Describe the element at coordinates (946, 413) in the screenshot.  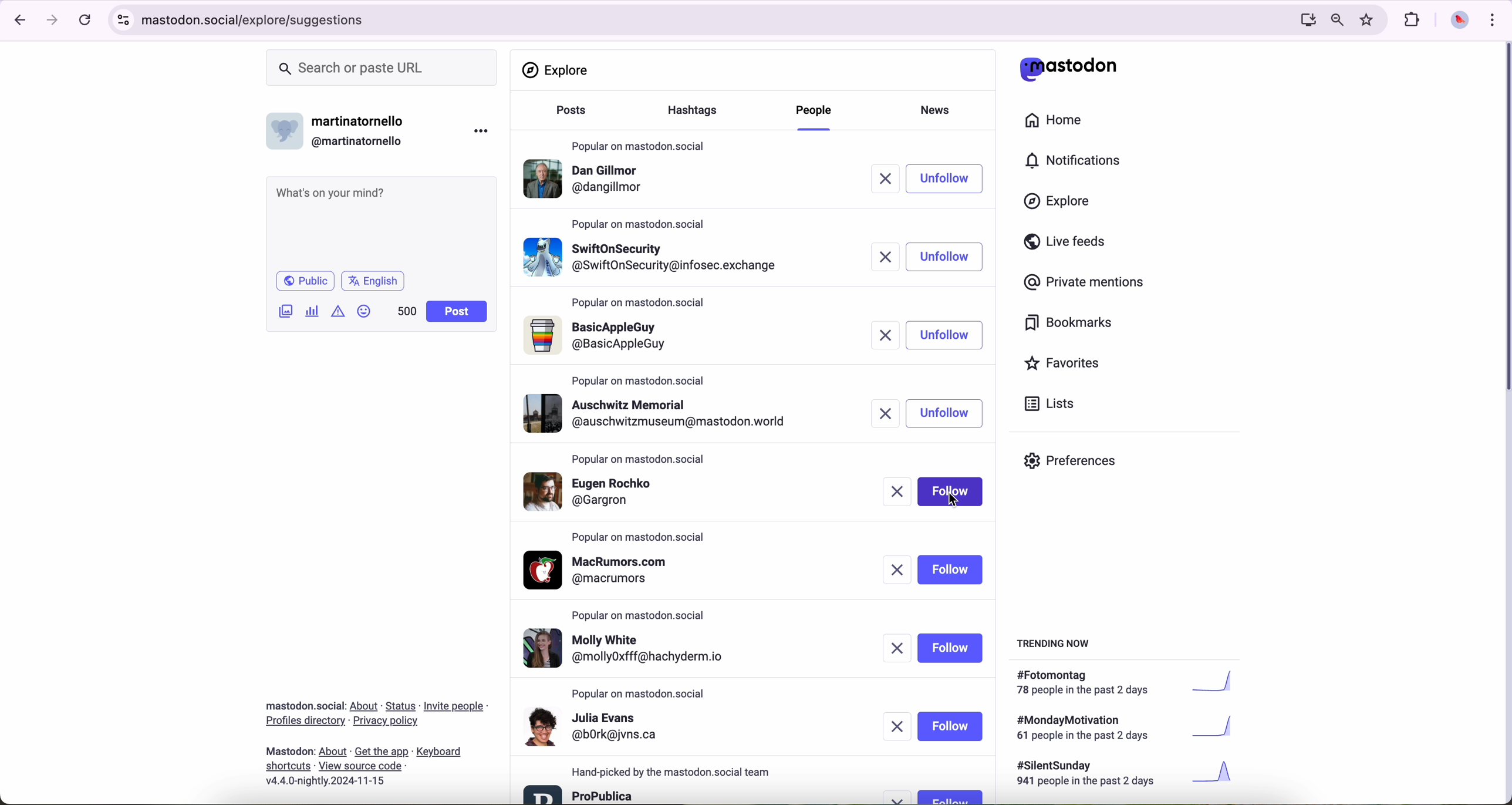
I see `unfollow` at that location.